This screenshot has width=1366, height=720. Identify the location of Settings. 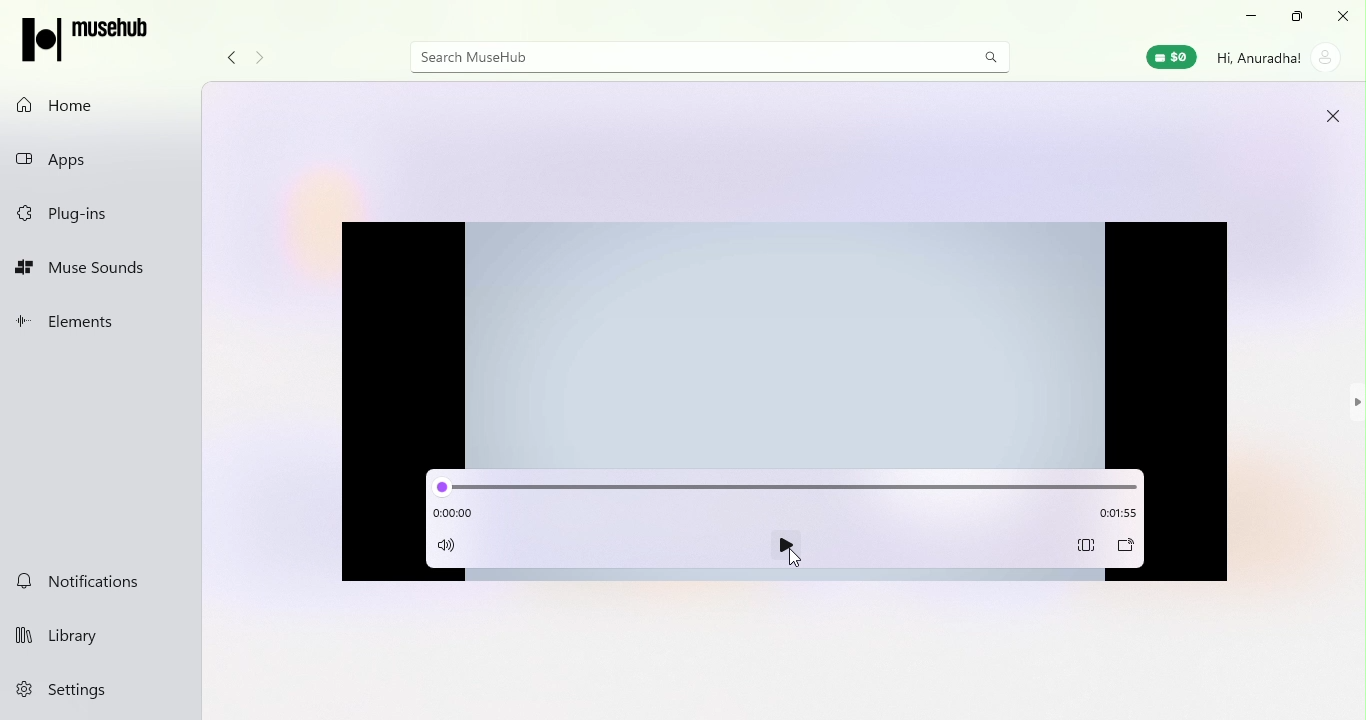
(96, 695).